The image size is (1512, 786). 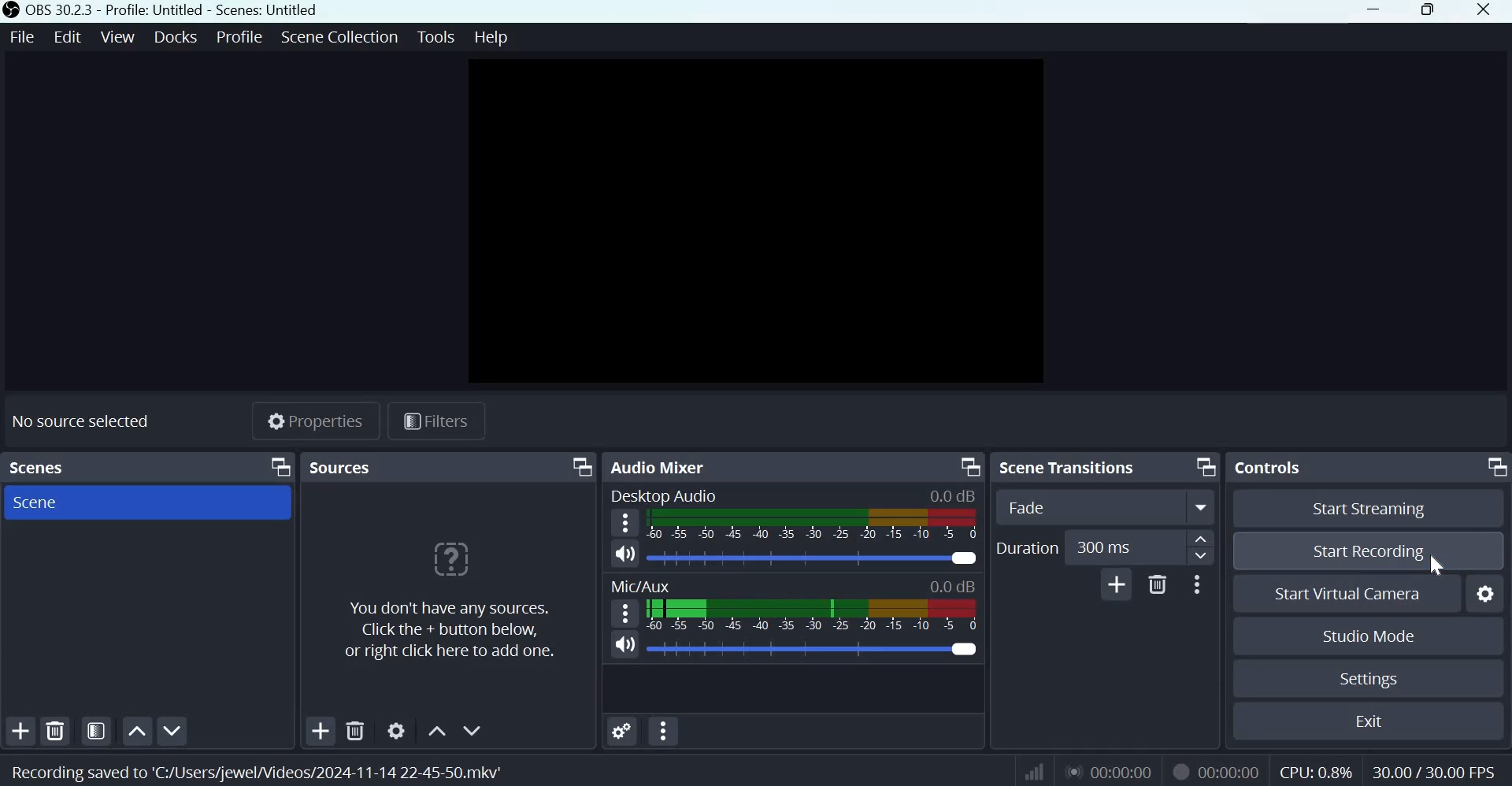 I want to click on Filters, so click(x=433, y=420).